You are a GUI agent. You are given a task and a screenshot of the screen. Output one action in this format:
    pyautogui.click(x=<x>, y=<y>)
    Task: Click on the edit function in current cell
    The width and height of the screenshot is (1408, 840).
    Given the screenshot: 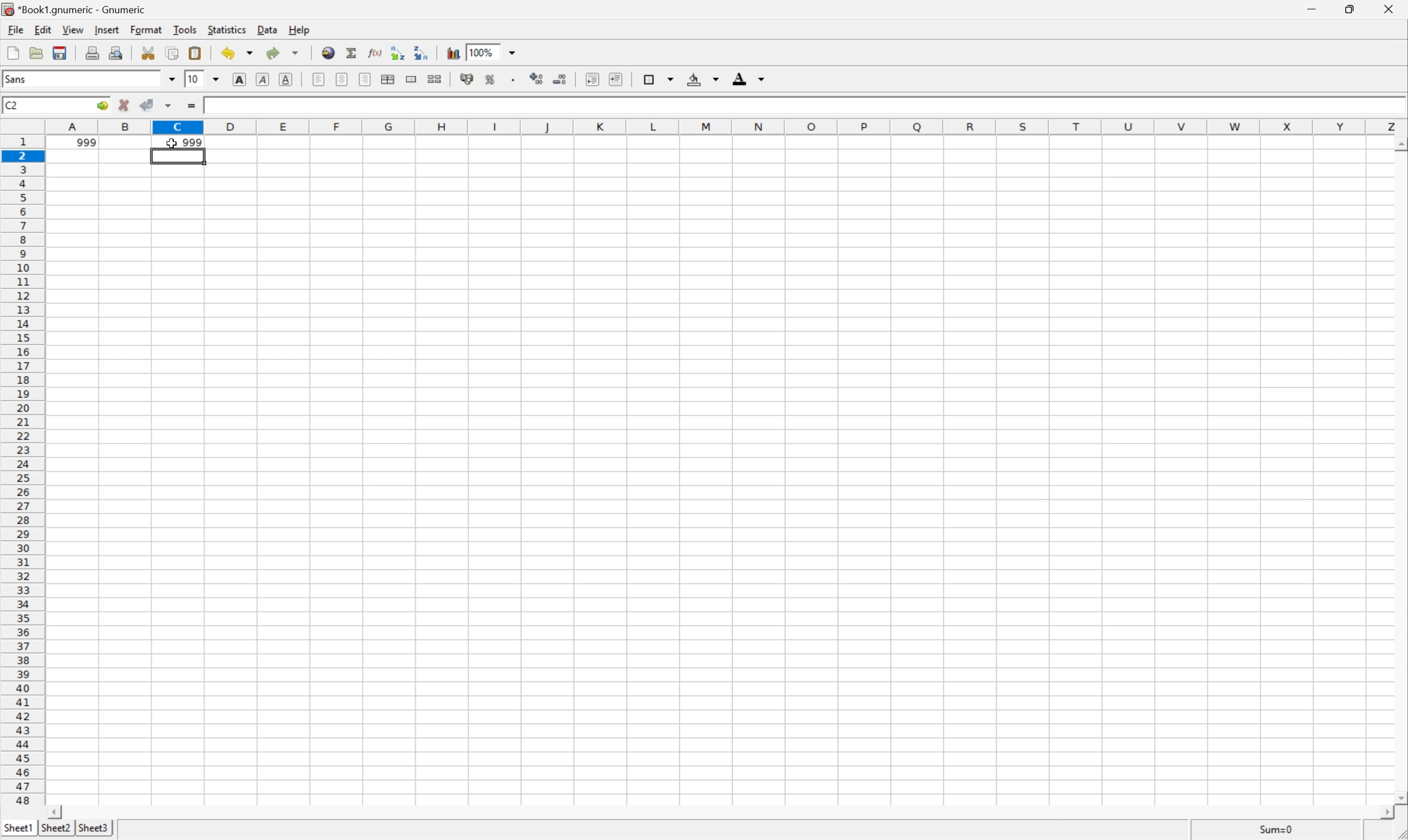 What is the action you would take?
    pyautogui.click(x=374, y=54)
    